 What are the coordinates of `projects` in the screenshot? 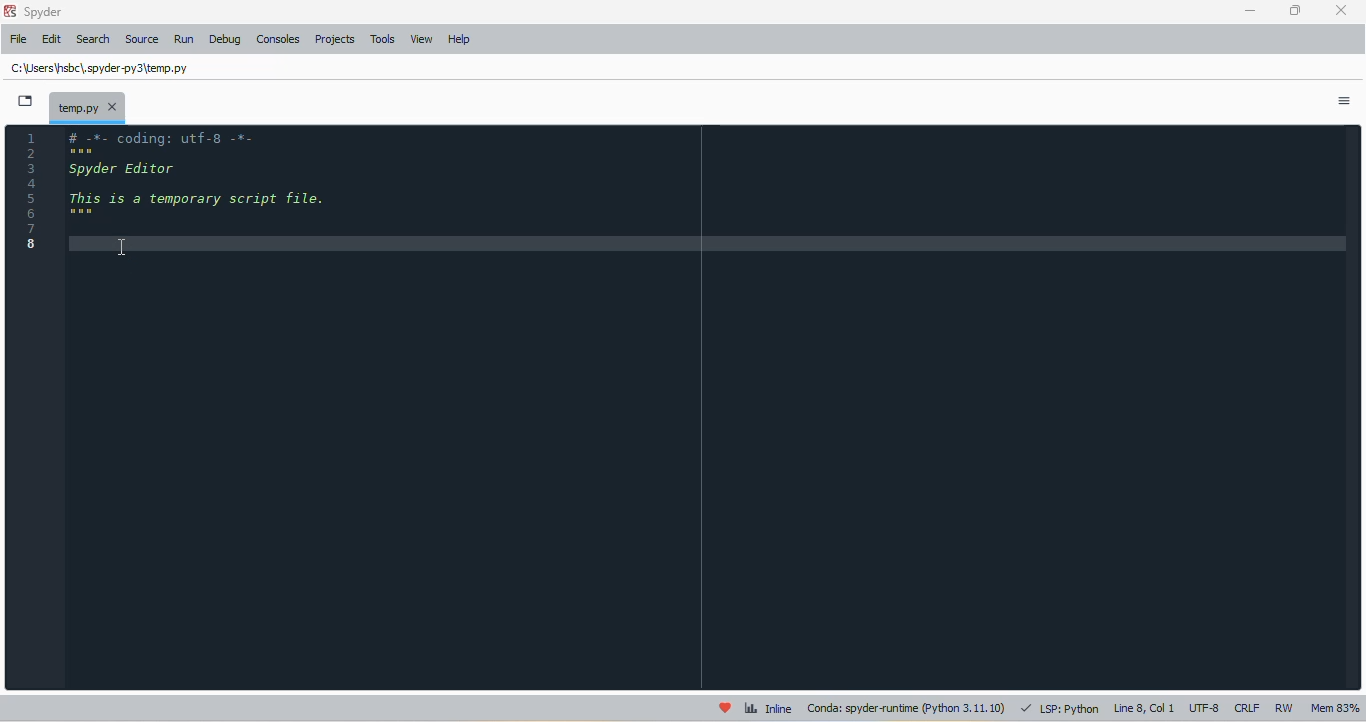 It's located at (335, 39).